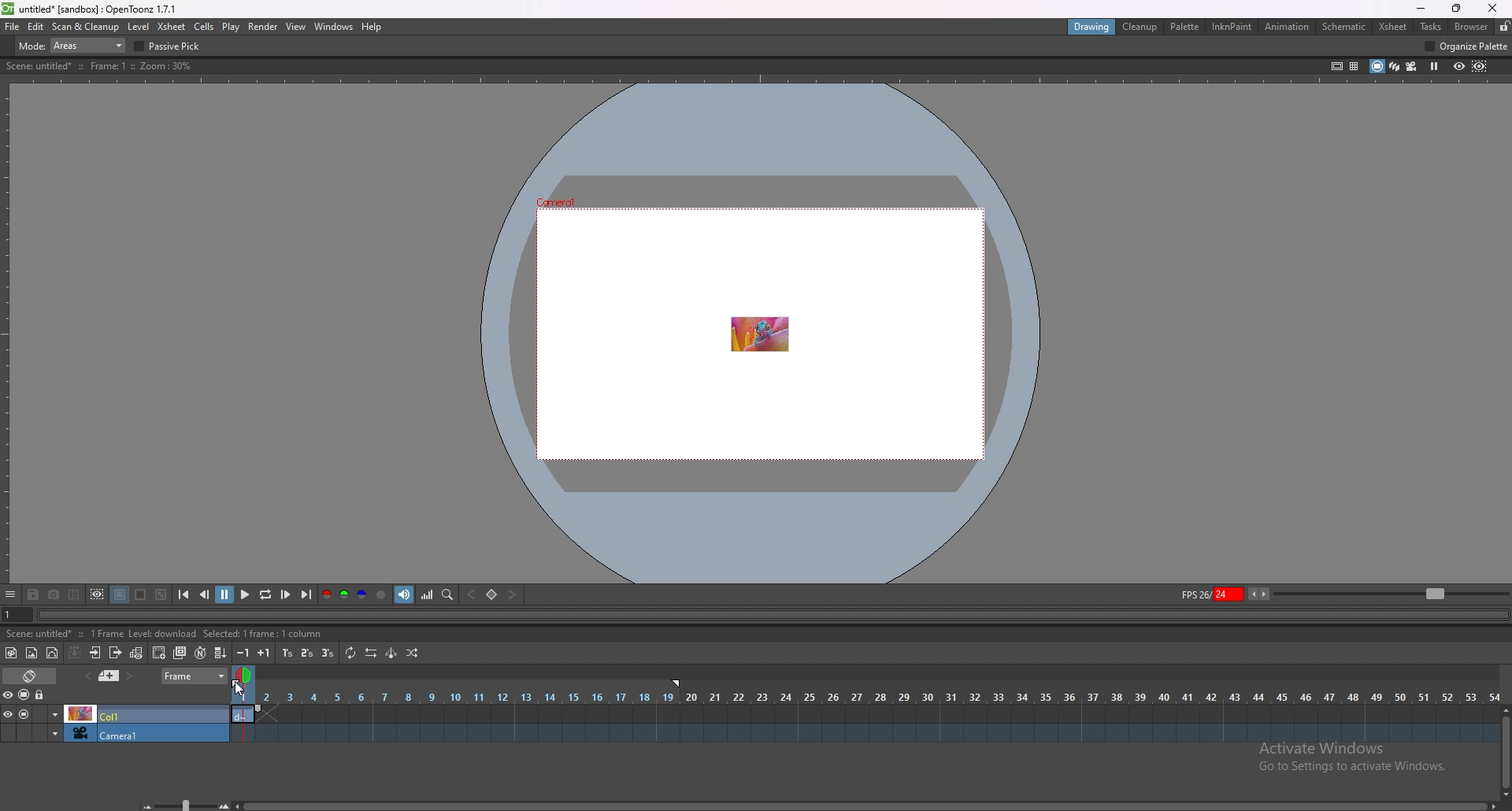 The height and width of the screenshot is (811, 1512). I want to click on frame, so click(195, 676).